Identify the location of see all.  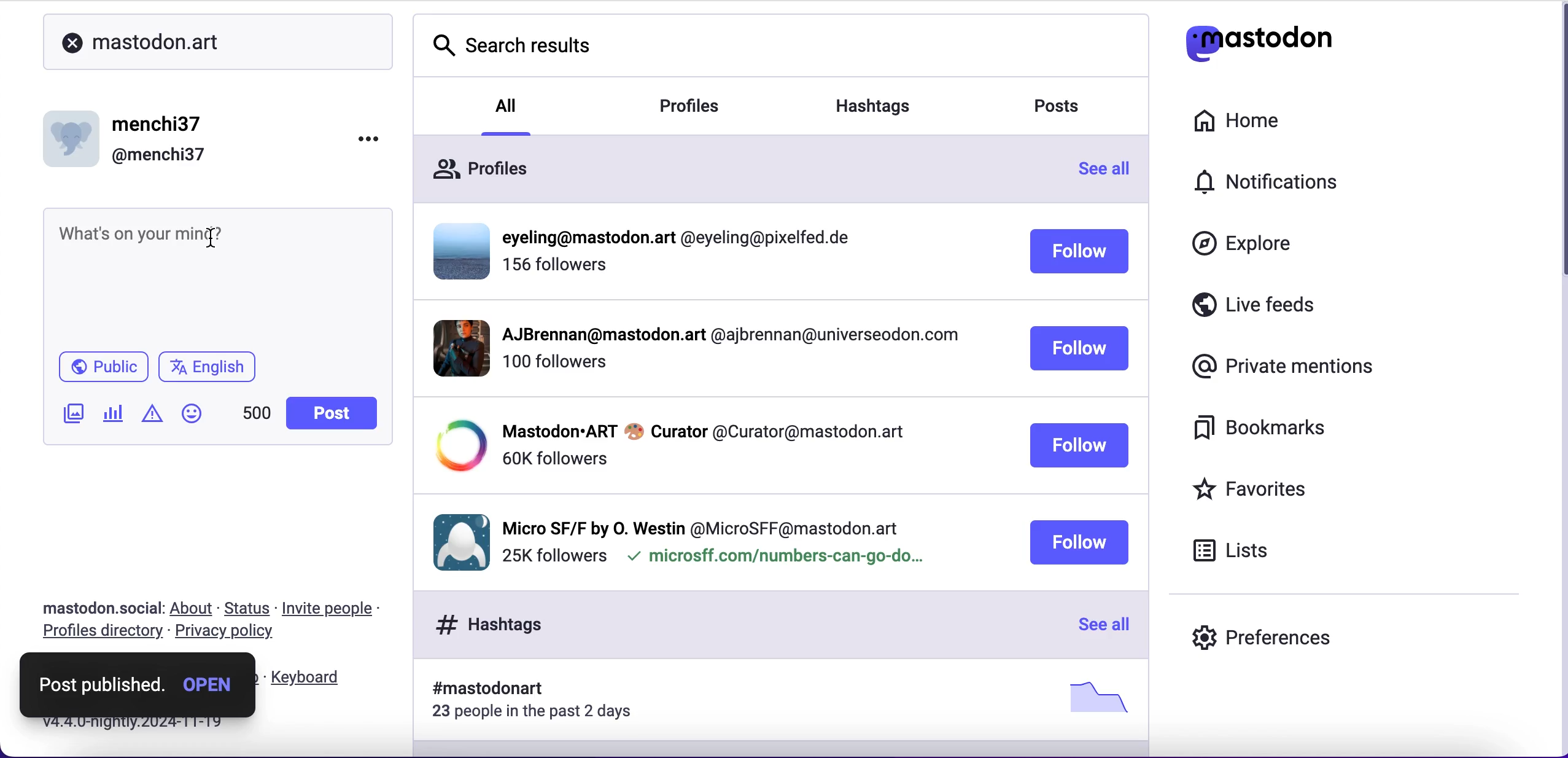
(1101, 626).